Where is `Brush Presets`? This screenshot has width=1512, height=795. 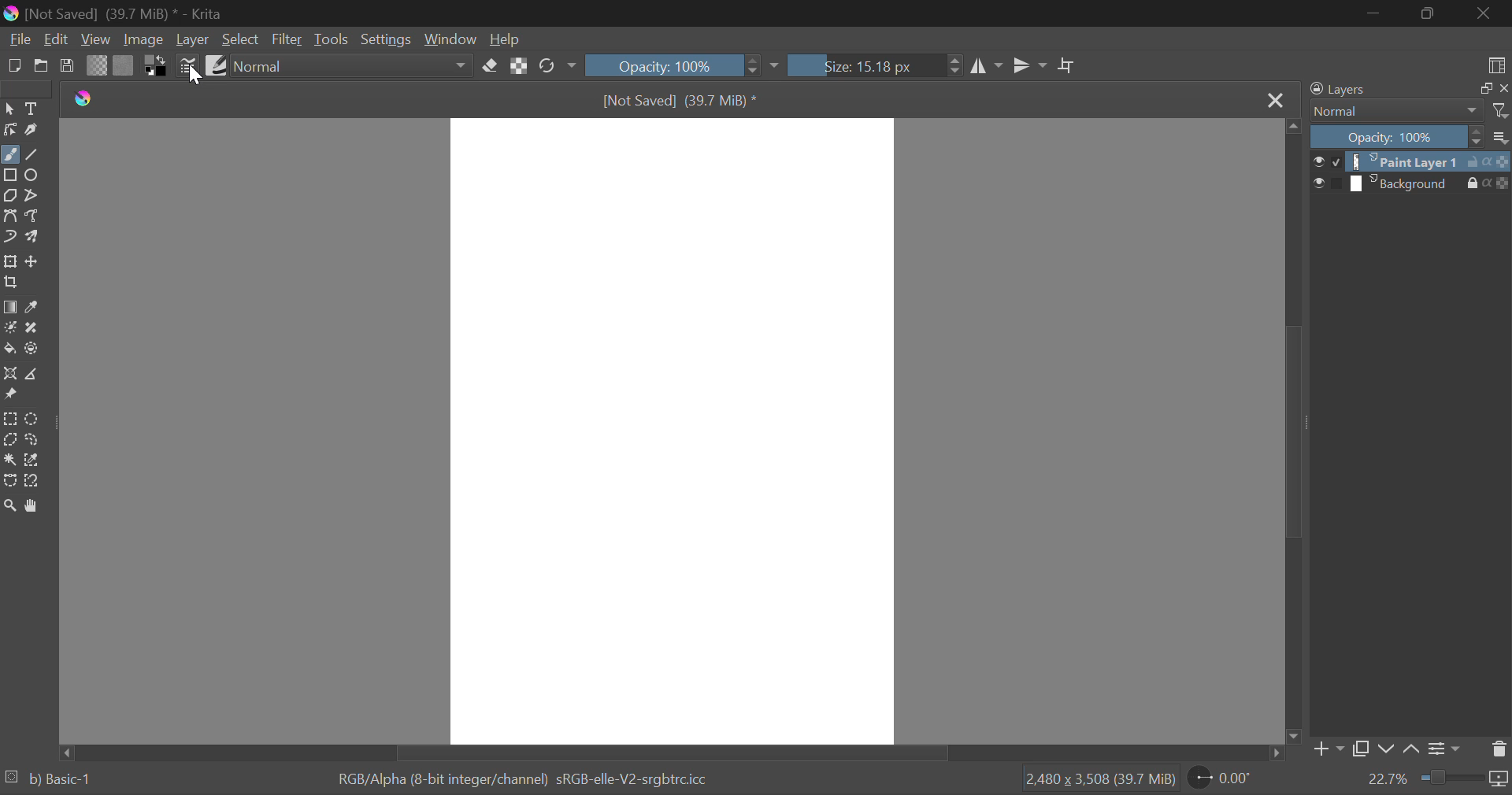
Brush Presets is located at coordinates (217, 66).